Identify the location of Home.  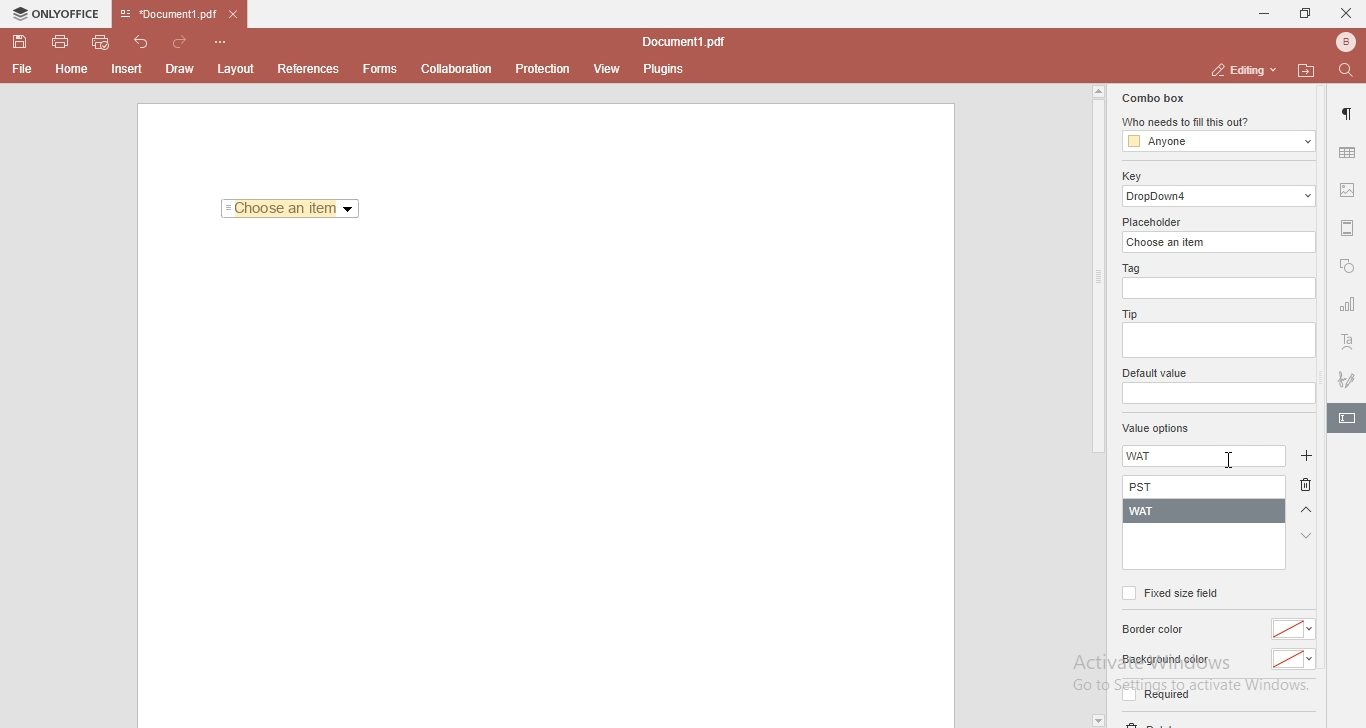
(73, 72).